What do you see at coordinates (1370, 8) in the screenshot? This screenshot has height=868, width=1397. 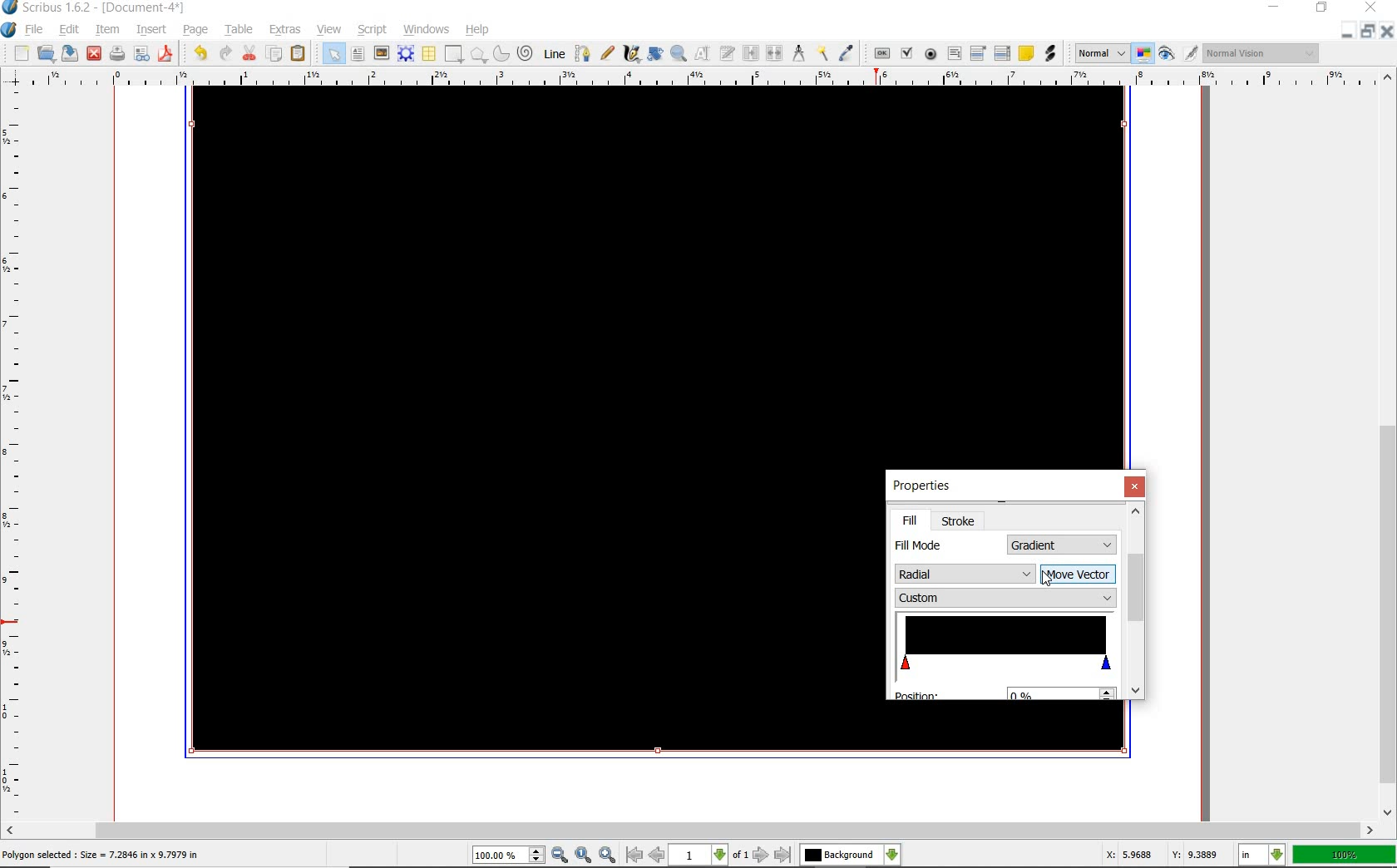 I see `close` at bounding box center [1370, 8].